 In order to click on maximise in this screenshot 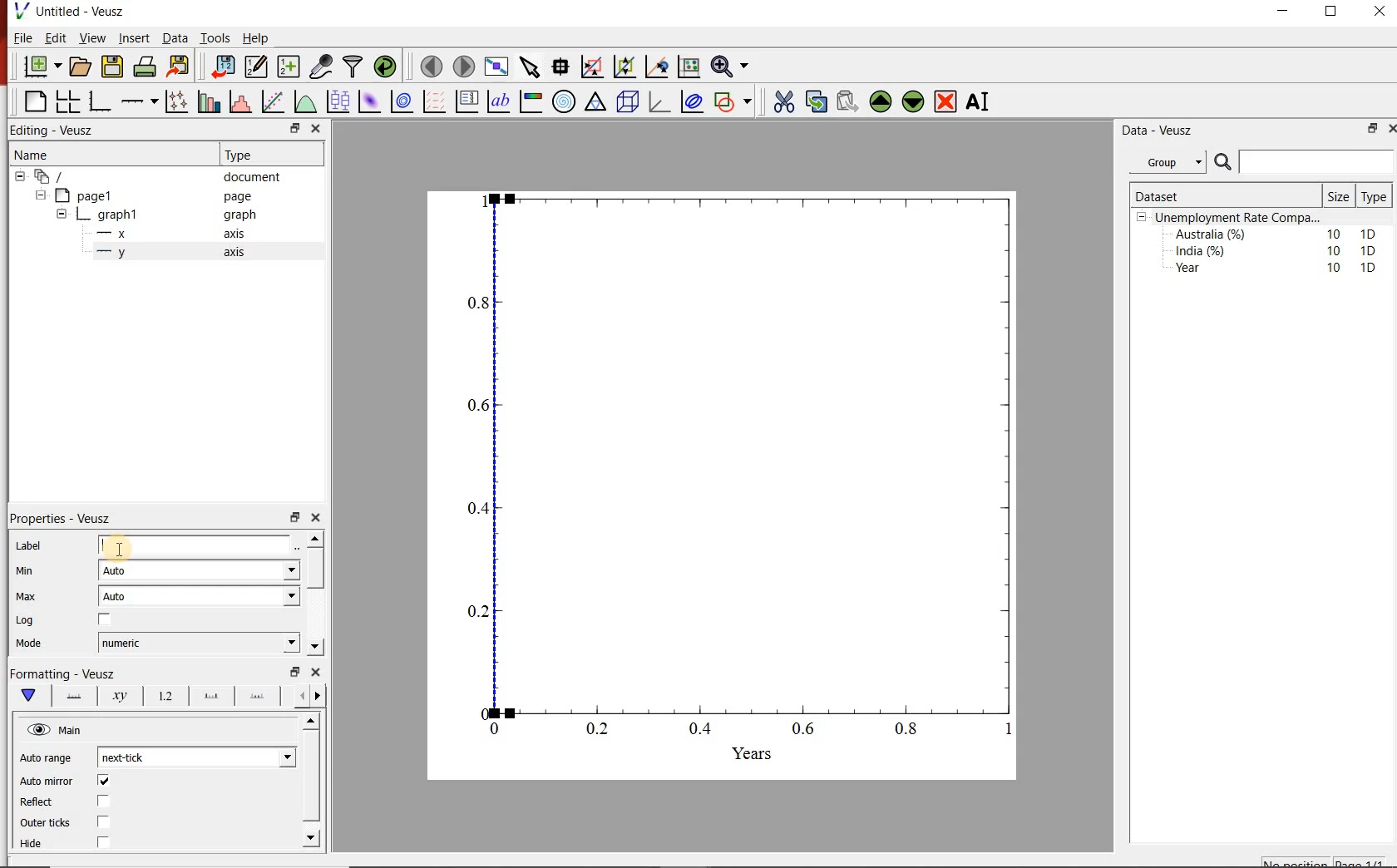, I will do `click(1333, 15)`.